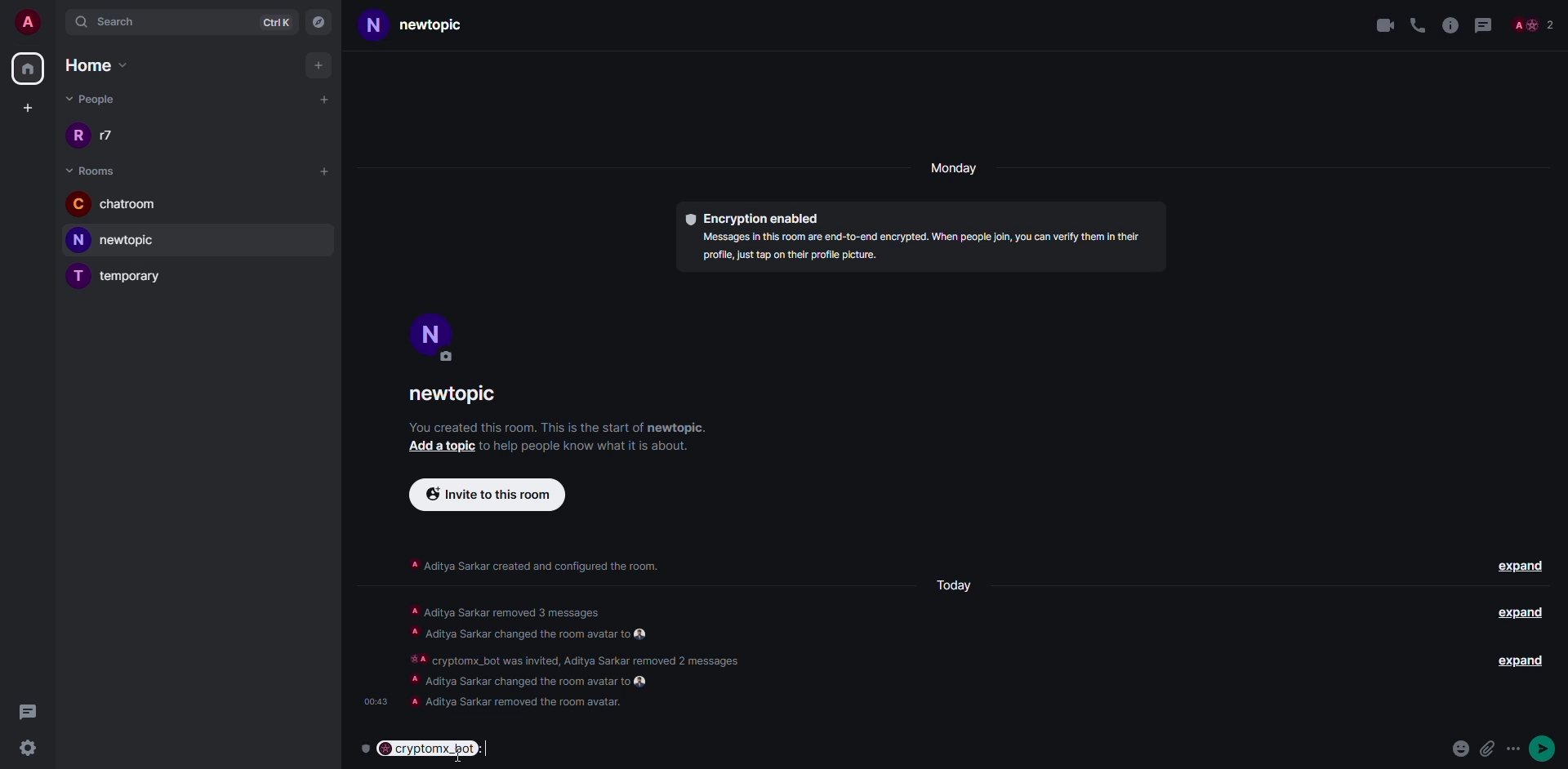 This screenshot has width=1568, height=769. Describe the element at coordinates (374, 696) in the screenshot. I see `time` at that location.